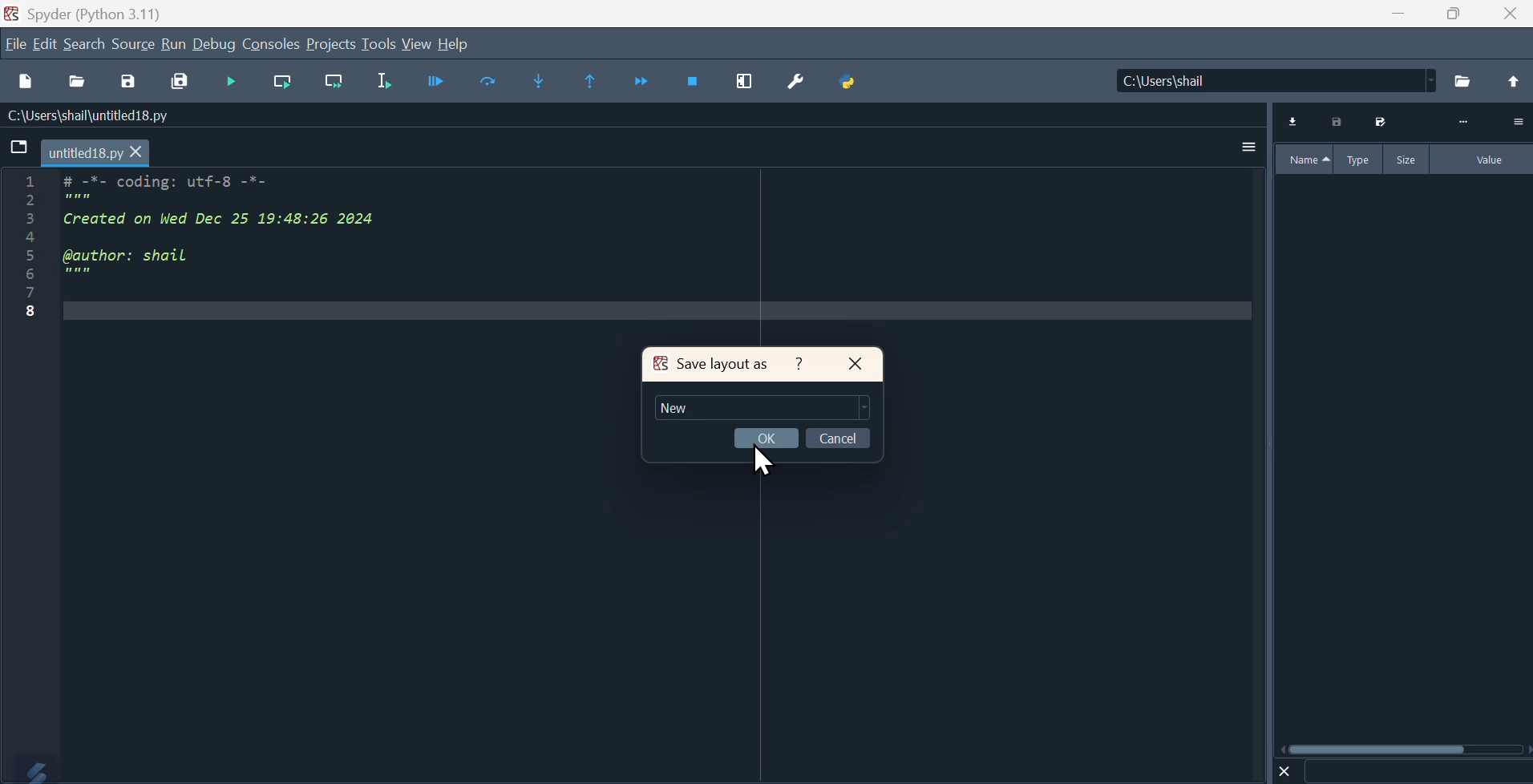 The width and height of the screenshot is (1533, 784). What do you see at coordinates (1517, 121) in the screenshot?
I see `Option` at bounding box center [1517, 121].